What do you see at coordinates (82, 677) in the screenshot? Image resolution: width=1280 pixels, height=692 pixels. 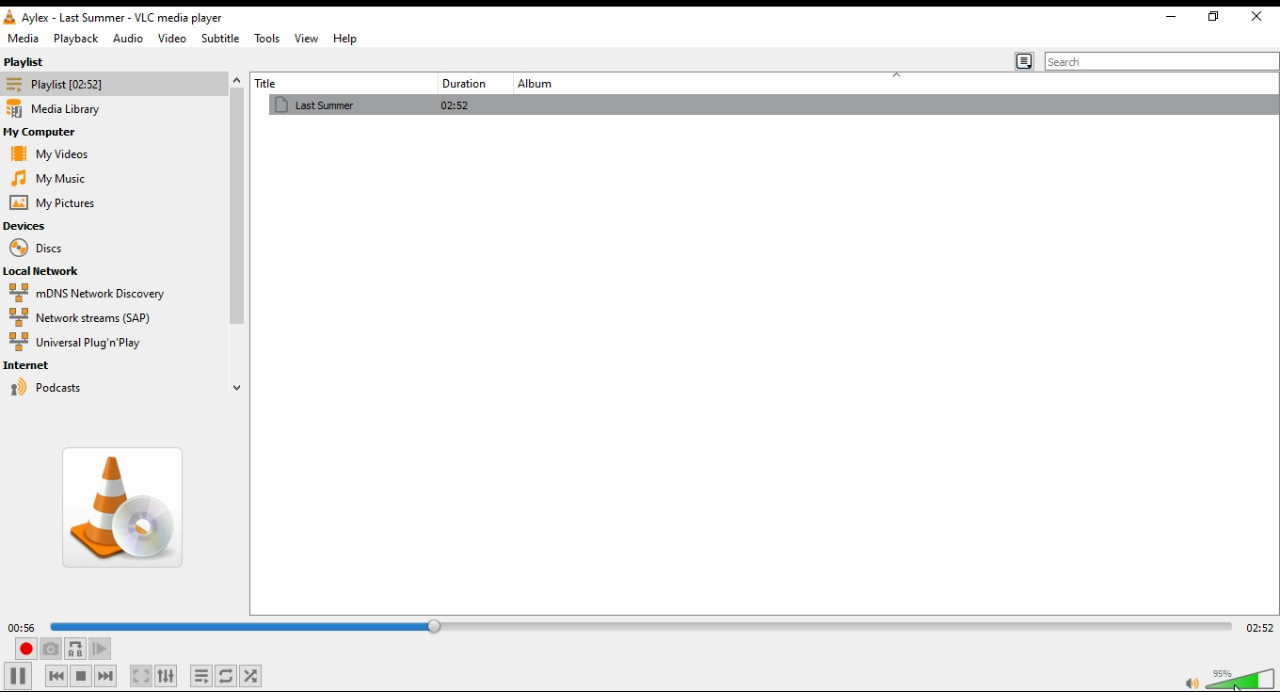 I see `stop` at bounding box center [82, 677].